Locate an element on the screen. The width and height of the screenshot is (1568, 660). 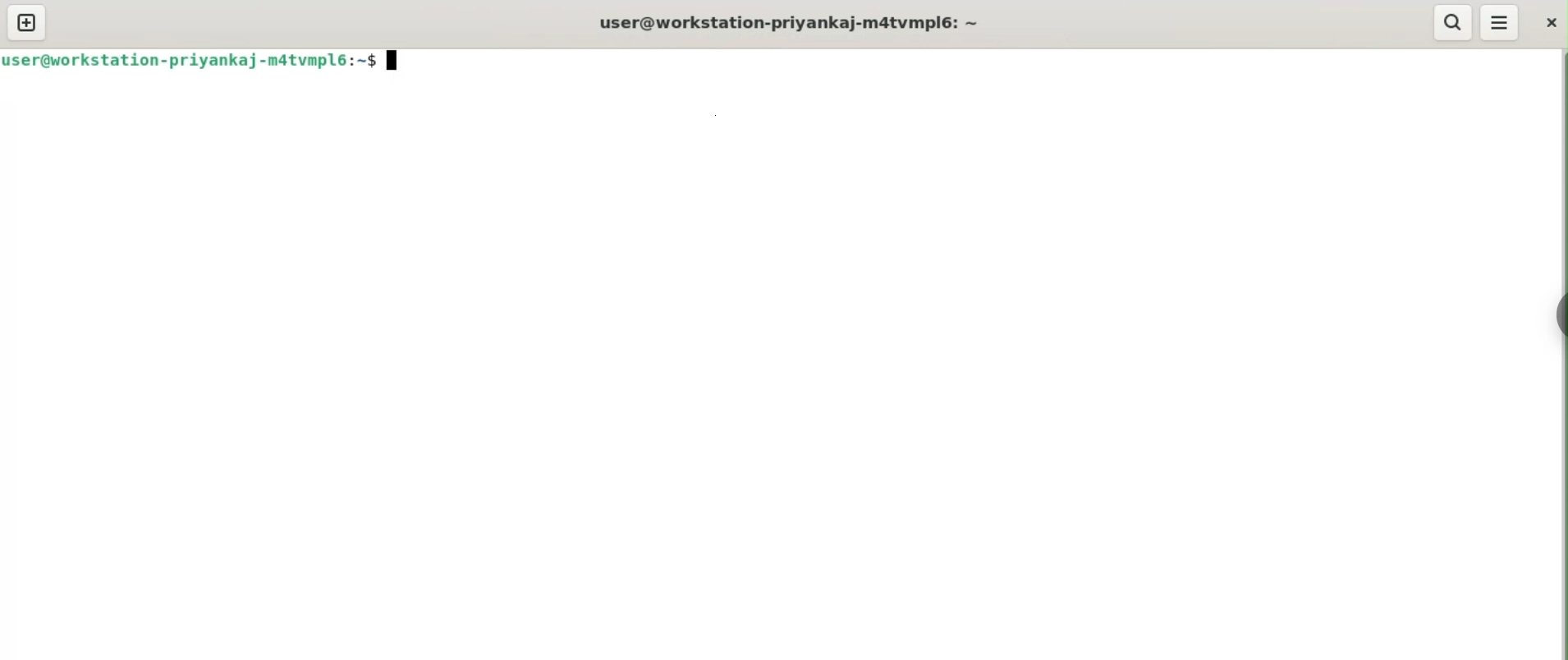
cursor is located at coordinates (395, 62).